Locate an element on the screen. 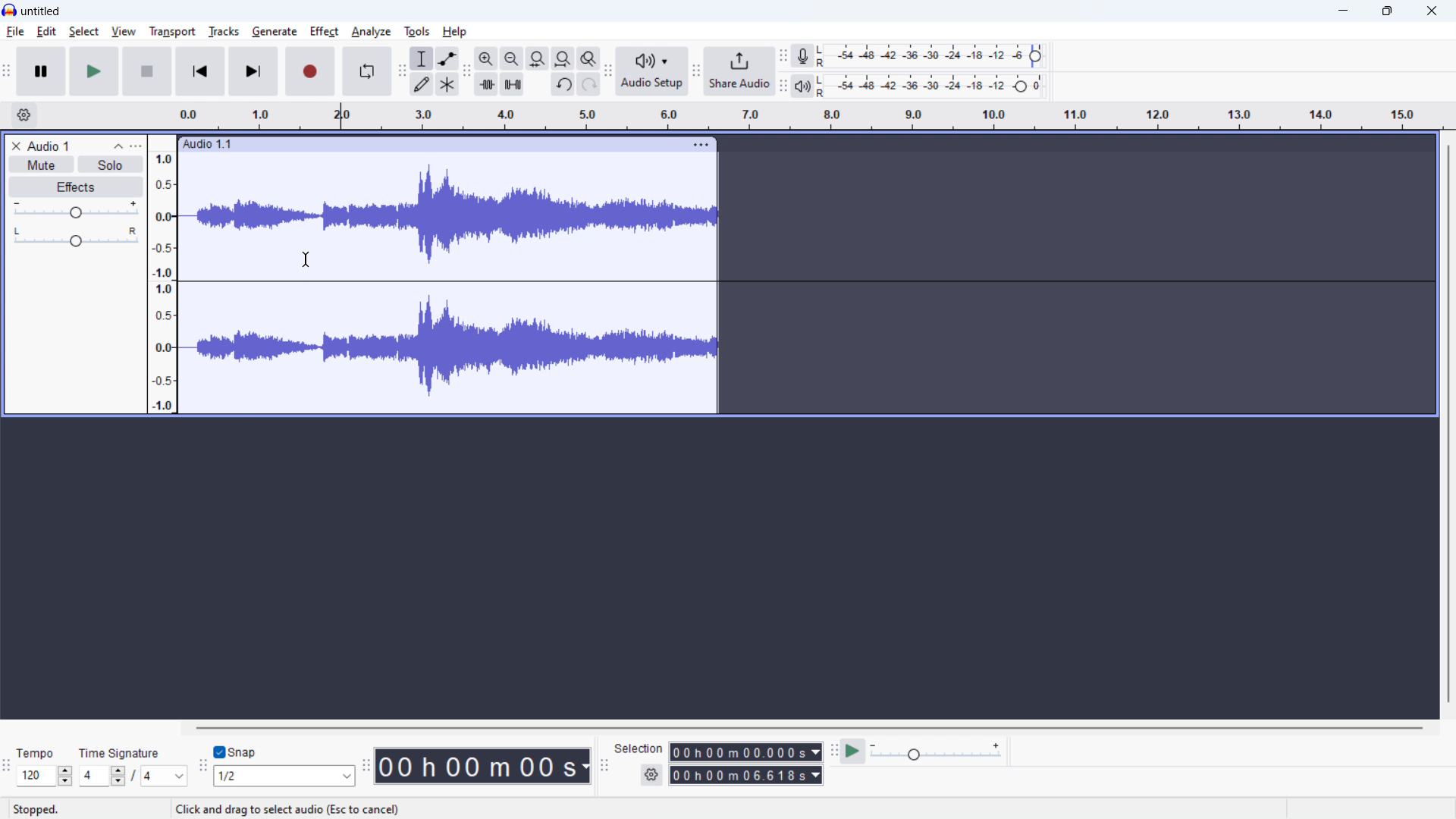 This screenshot has height=819, width=1456. redo is located at coordinates (589, 84).